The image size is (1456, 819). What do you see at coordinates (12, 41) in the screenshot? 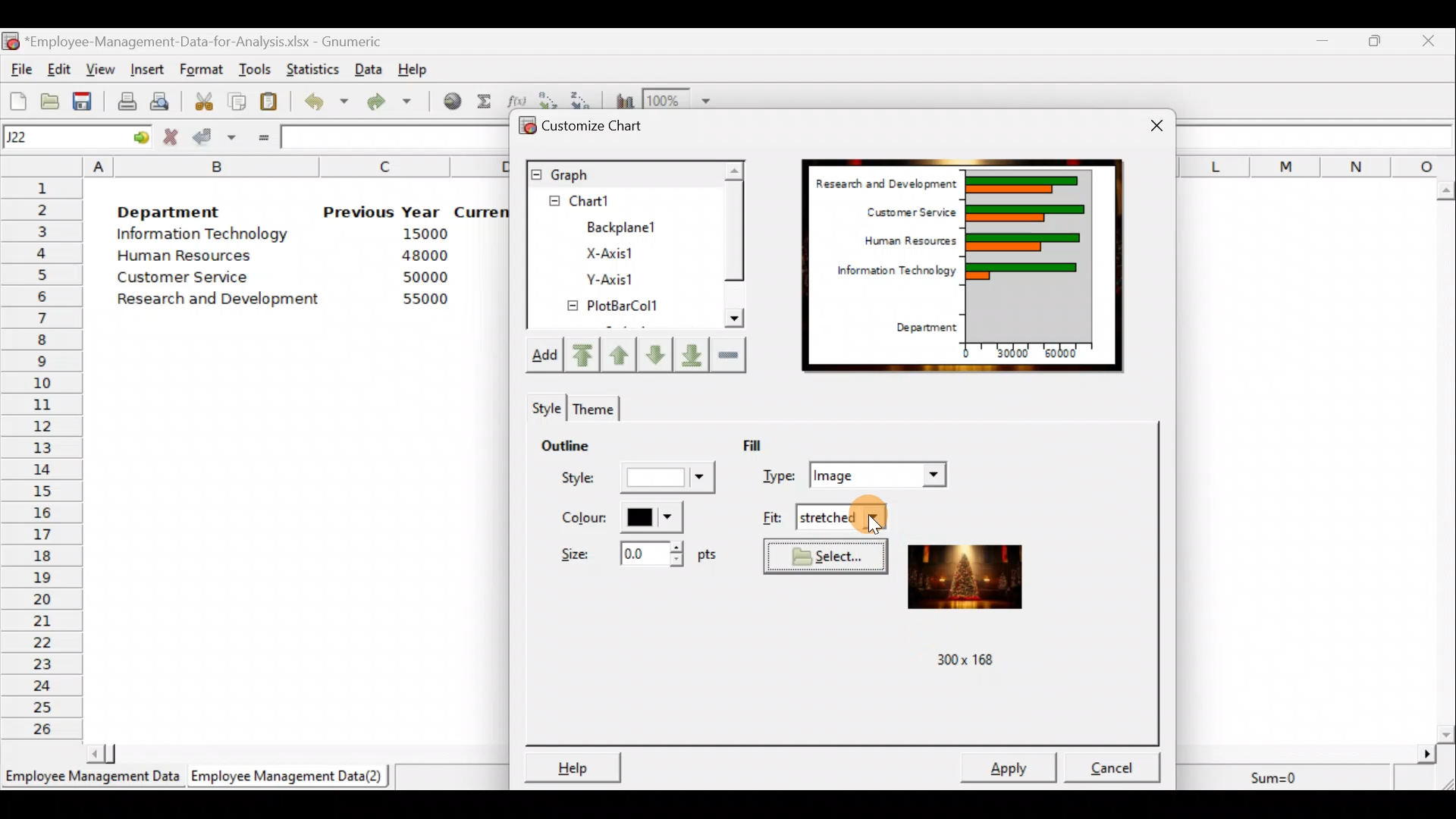
I see `Gnumeric logo` at bounding box center [12, 41].